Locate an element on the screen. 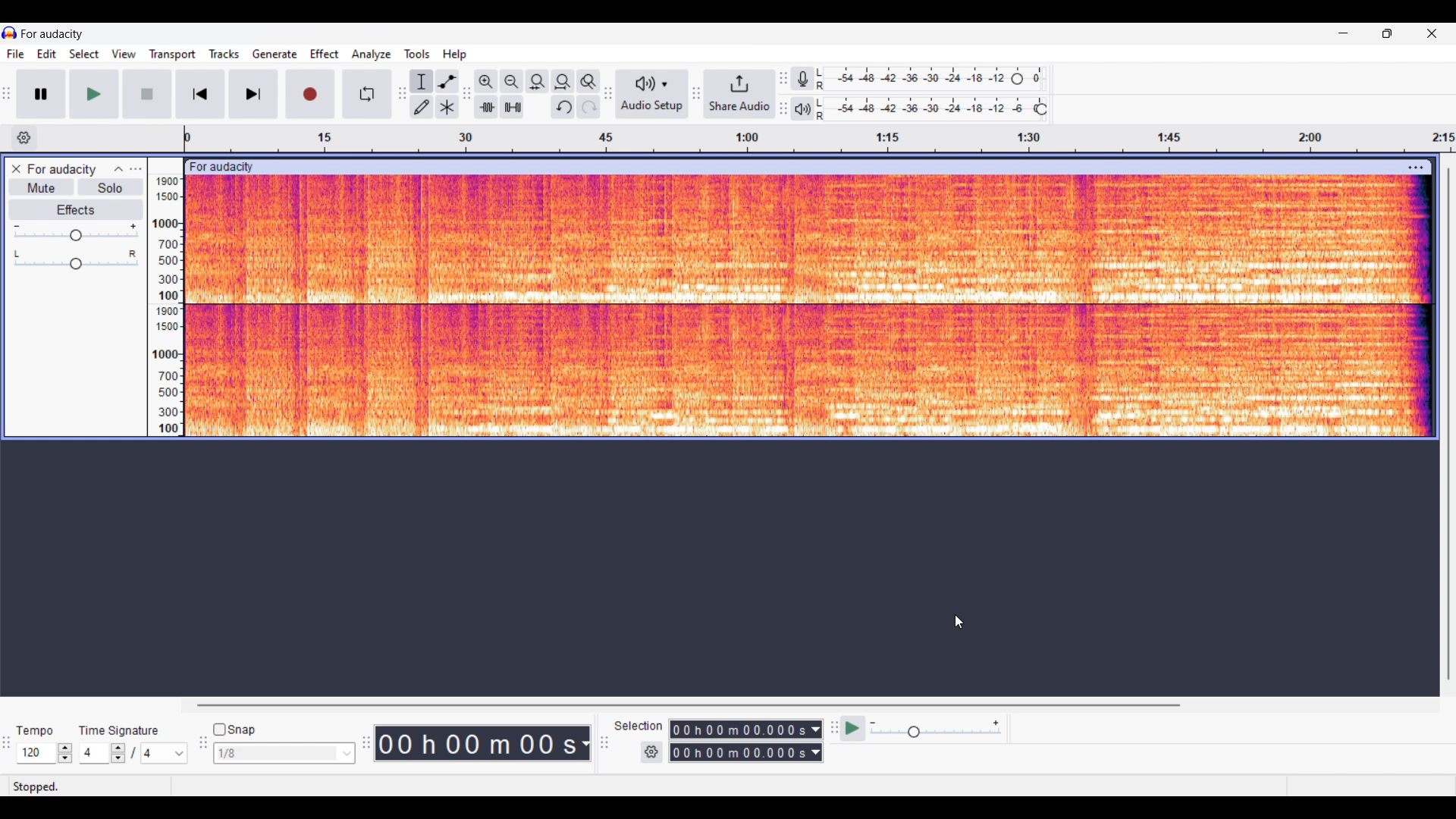 This screenshot has width=1456, height=819. Record/Record new track is located at coordinates (311, 94).